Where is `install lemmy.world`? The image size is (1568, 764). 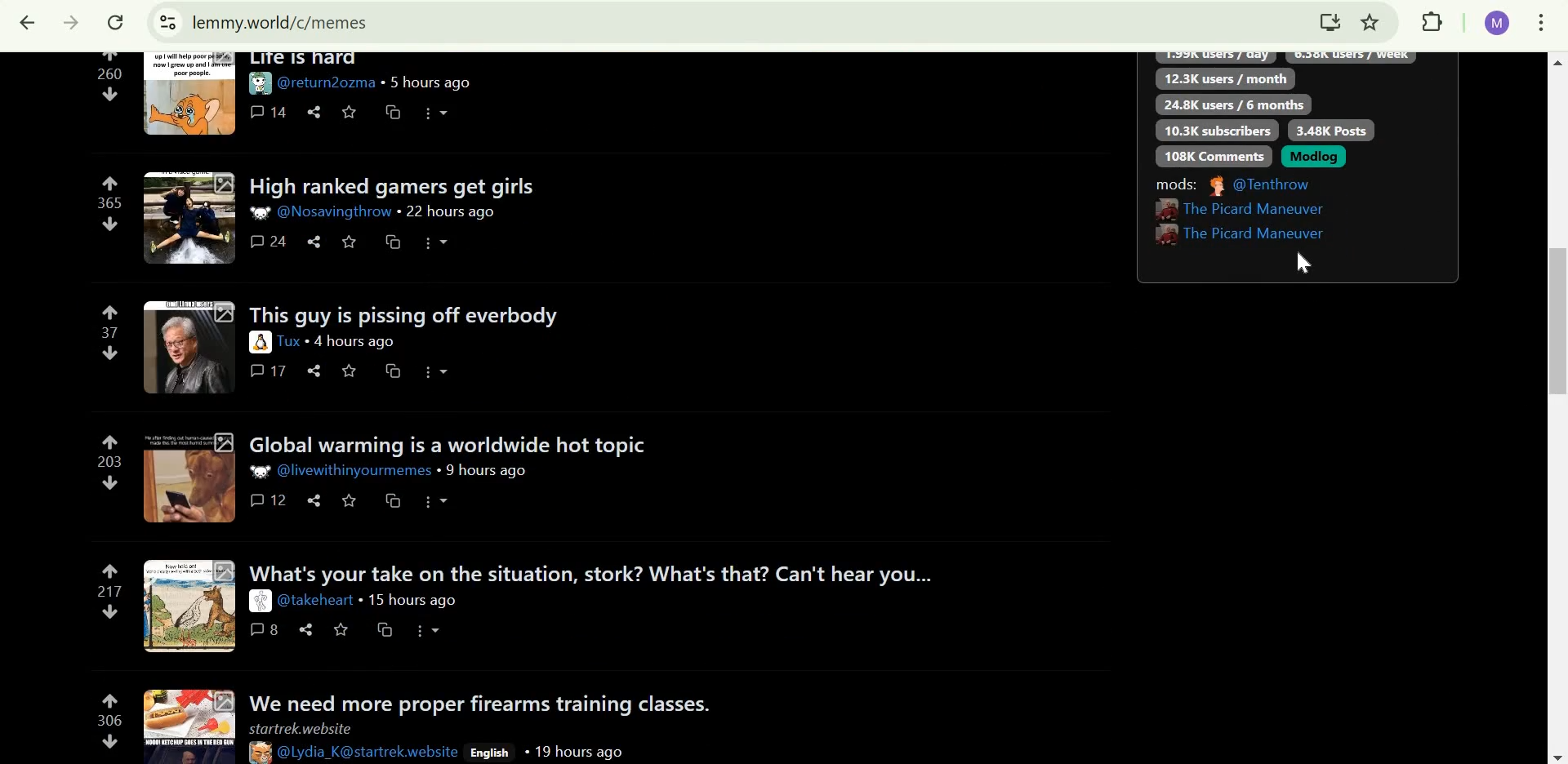
install lemmy.world is located at coordinates (1330, 22).